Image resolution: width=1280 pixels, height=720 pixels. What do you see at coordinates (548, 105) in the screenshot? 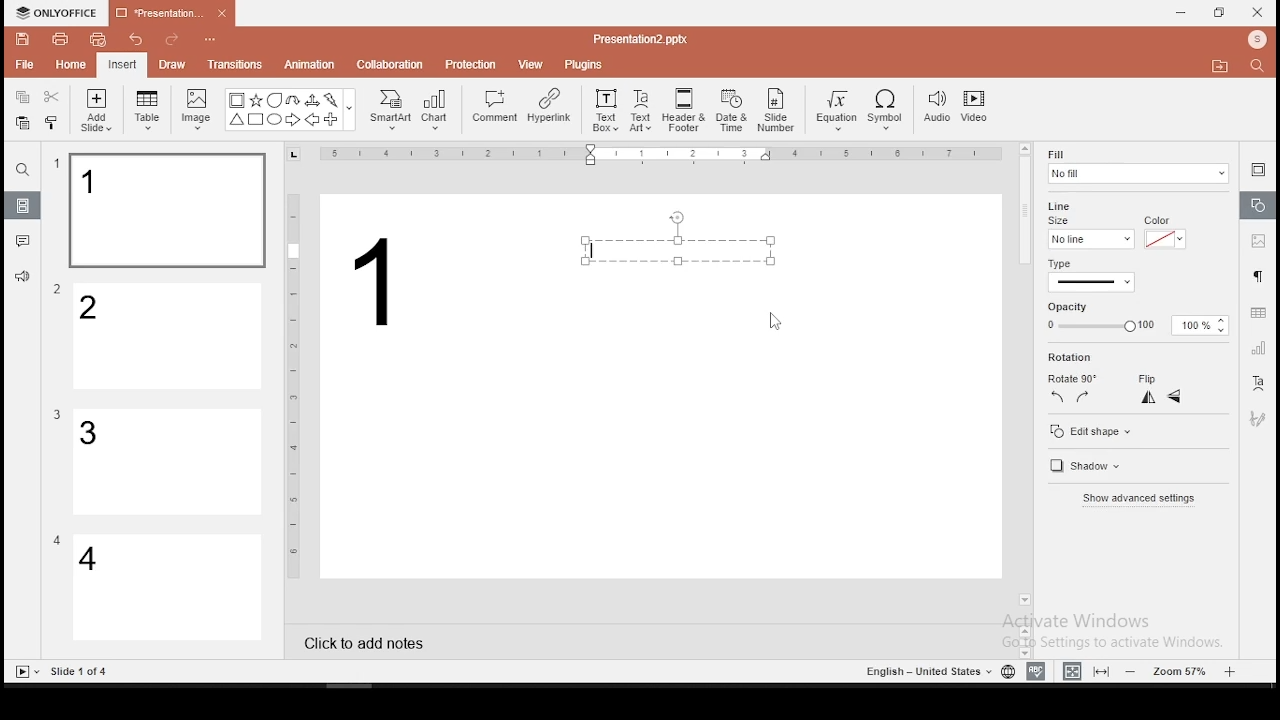
I see `hyperlink` at bounding box center [548, 105].